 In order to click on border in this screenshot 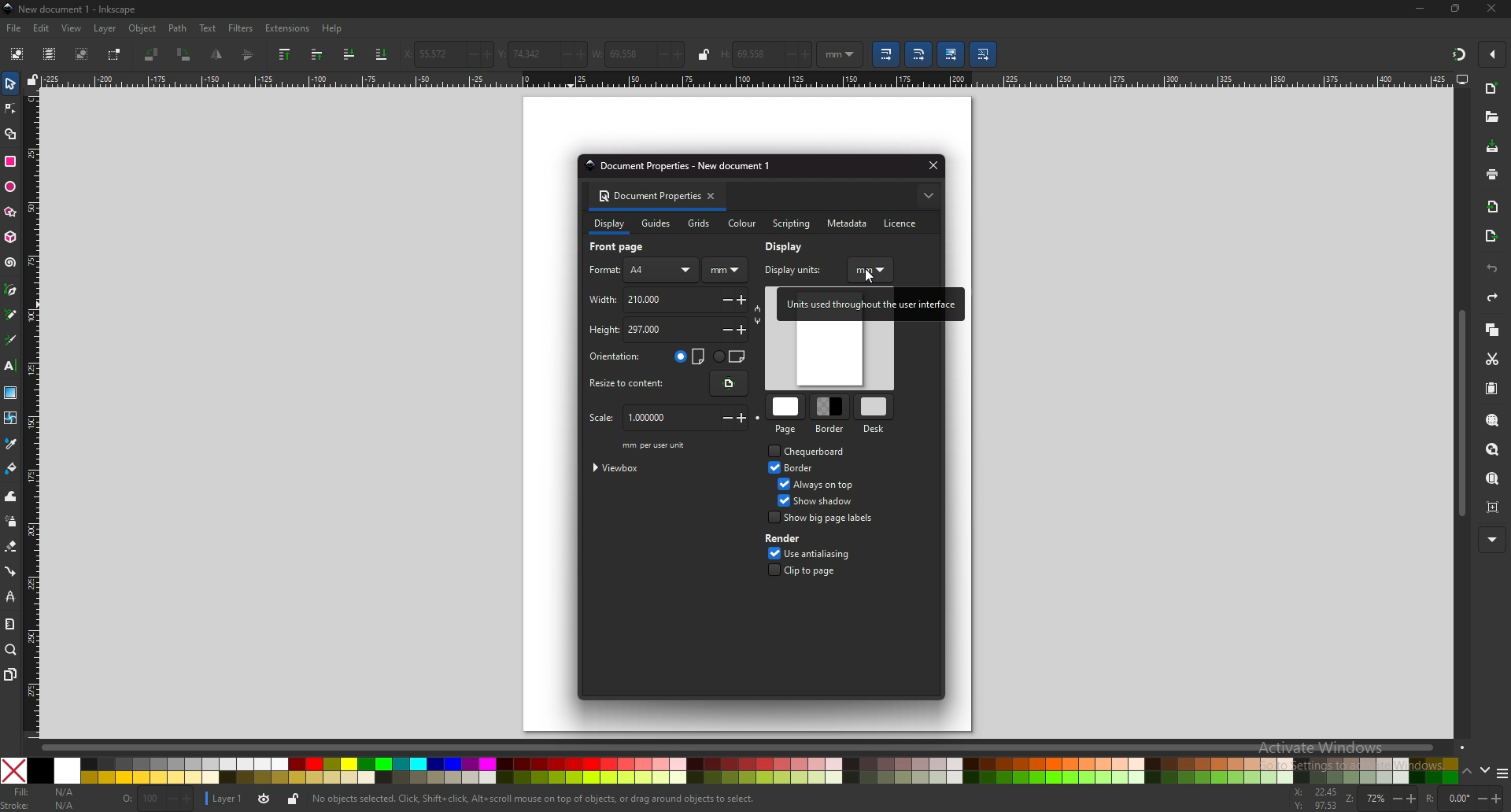, I will do `click(804, 468)`.